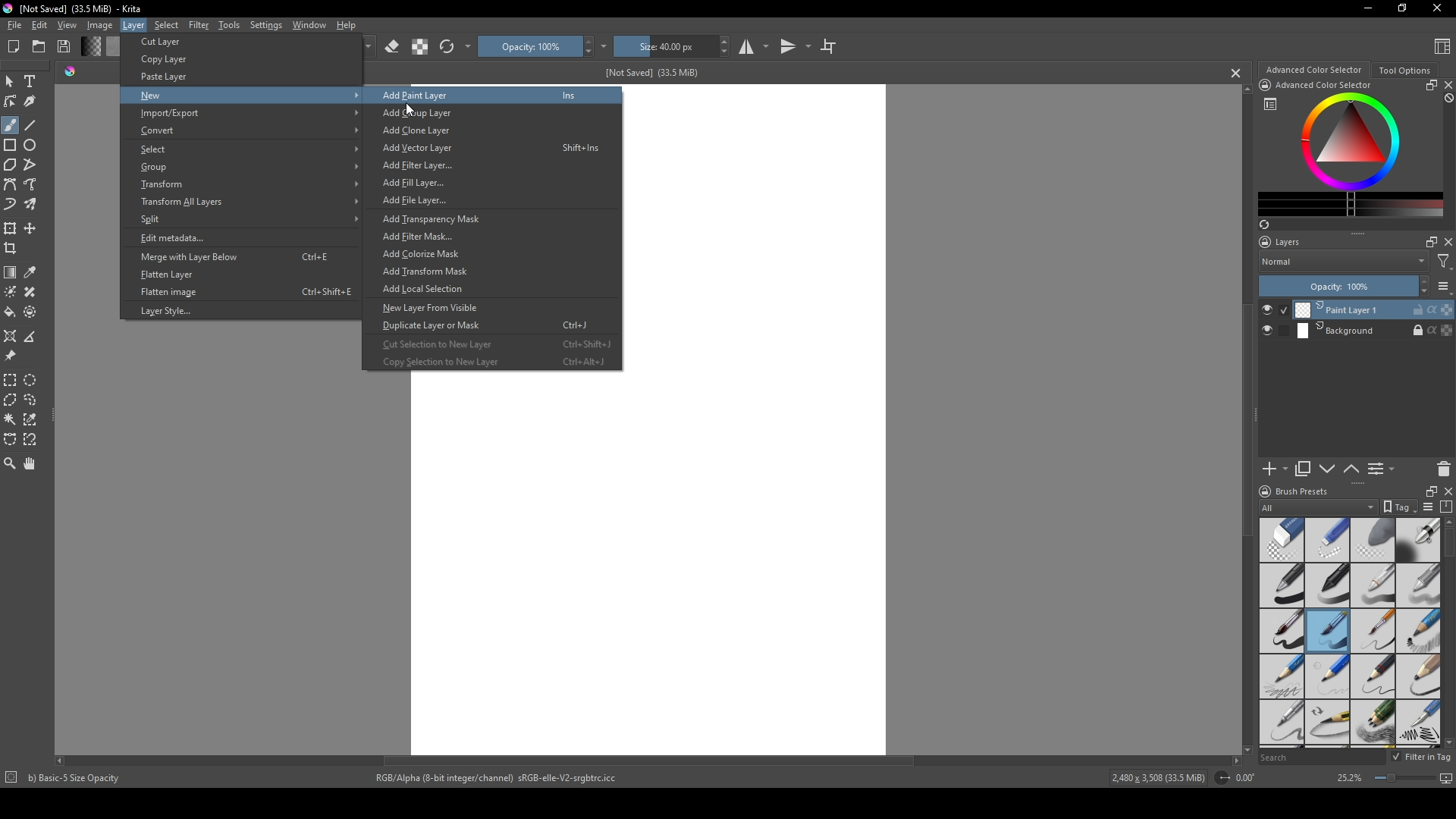  Describe the element at coordinates (246, 168) in the screenshot. I see `Group` at that location.